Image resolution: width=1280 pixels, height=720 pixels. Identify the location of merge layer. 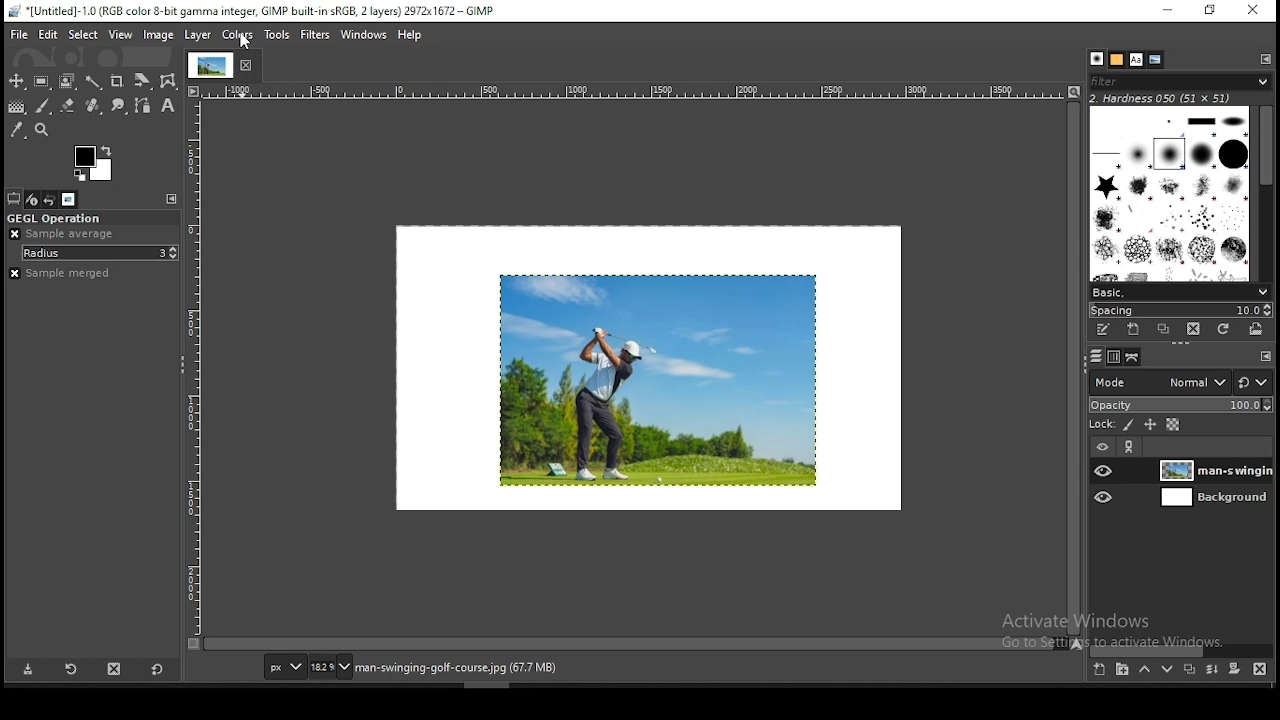
(1212, 670).